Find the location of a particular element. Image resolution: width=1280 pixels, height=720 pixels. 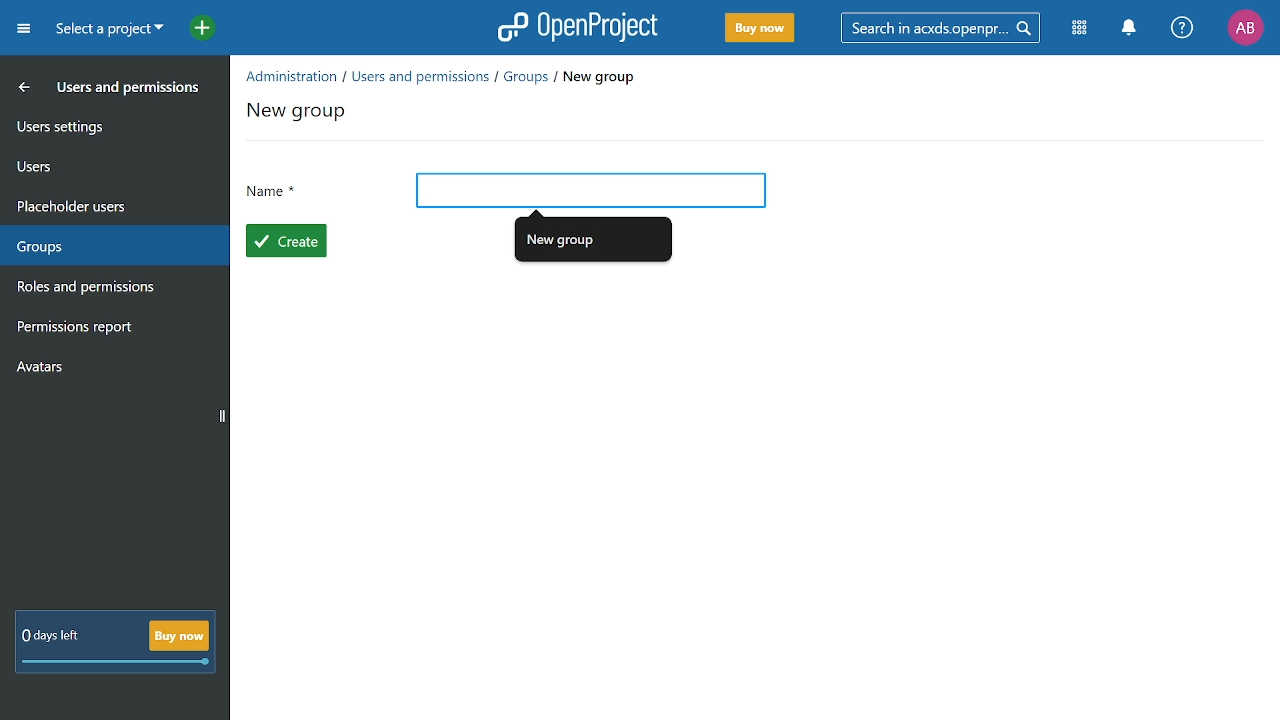

Autofill "New group" is located at coordinates (595, 237).